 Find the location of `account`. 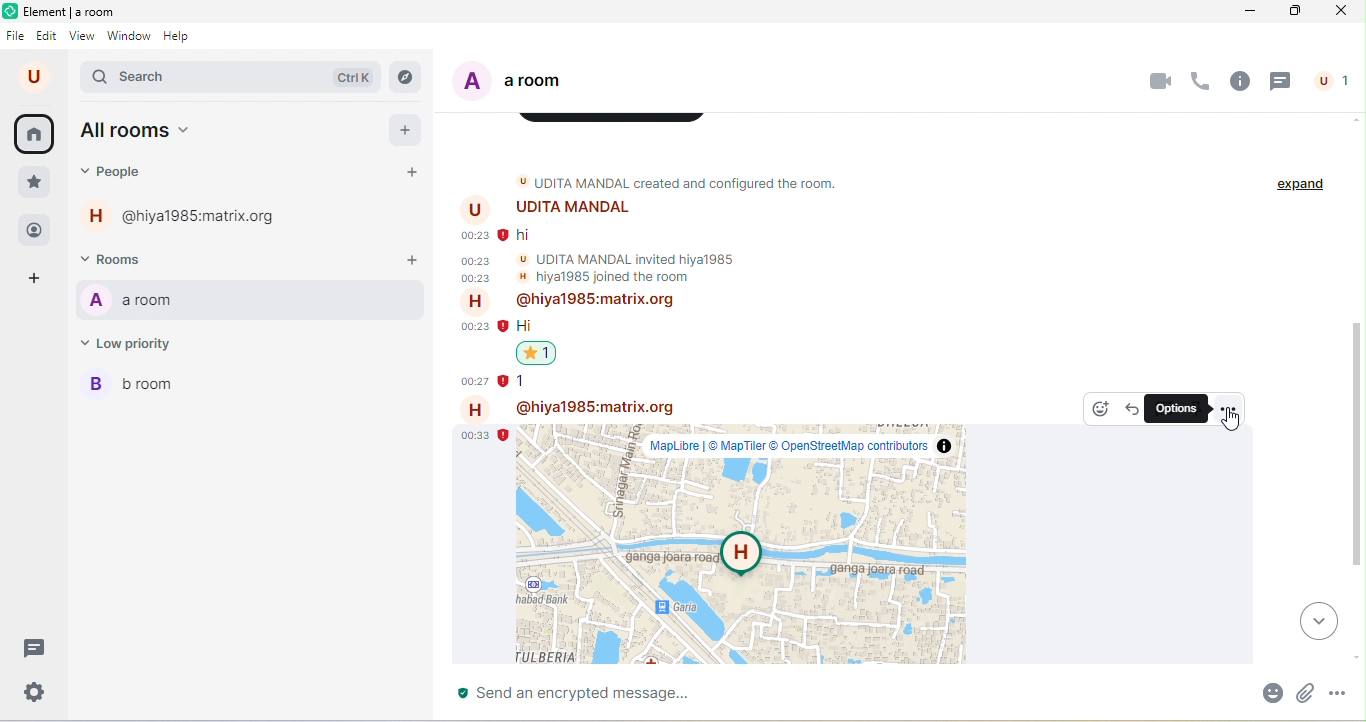

account is located at coordinates (38, 76).